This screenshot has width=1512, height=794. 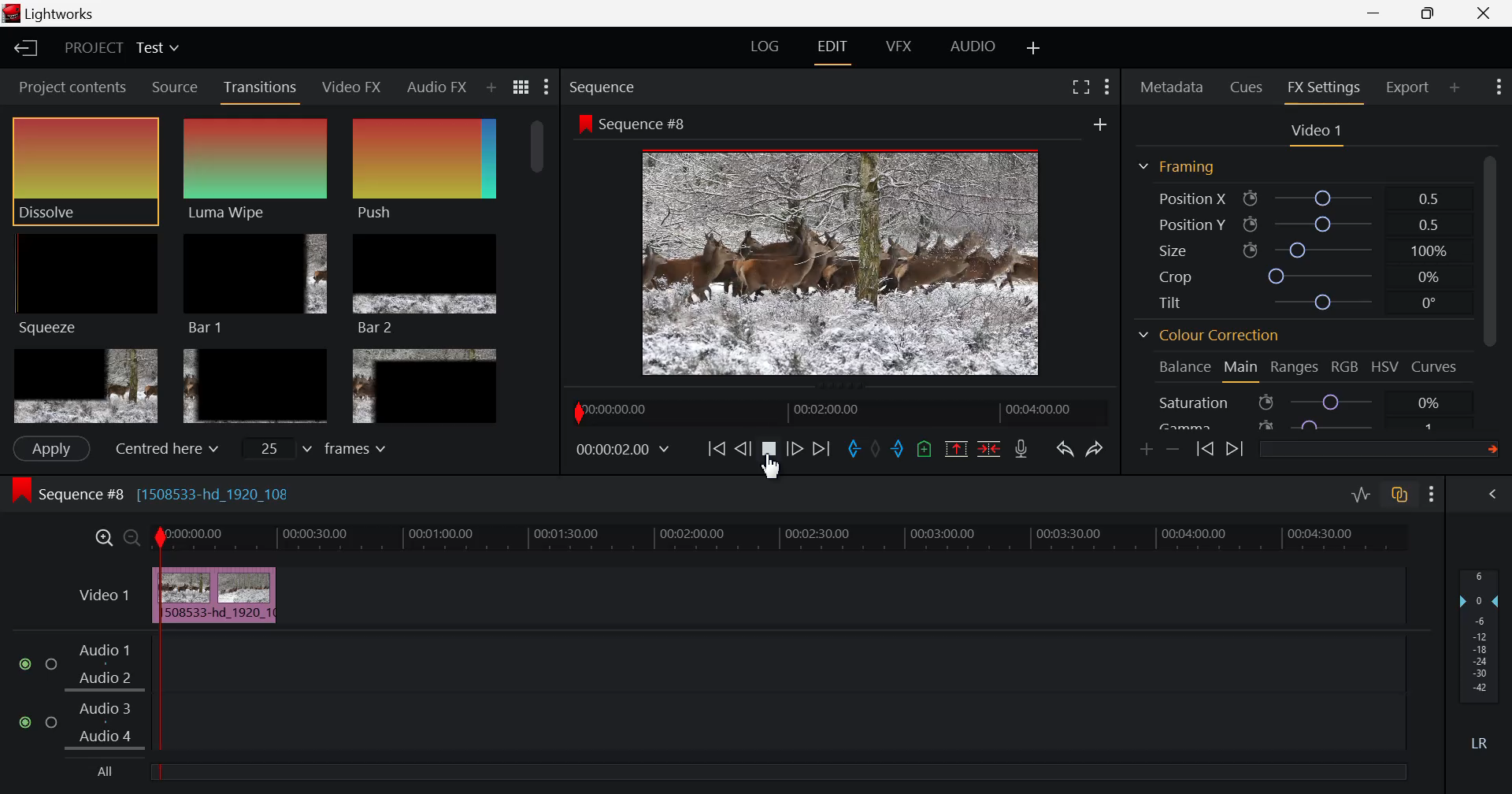 I want to click on HSV, so click(x=1385, y=368).